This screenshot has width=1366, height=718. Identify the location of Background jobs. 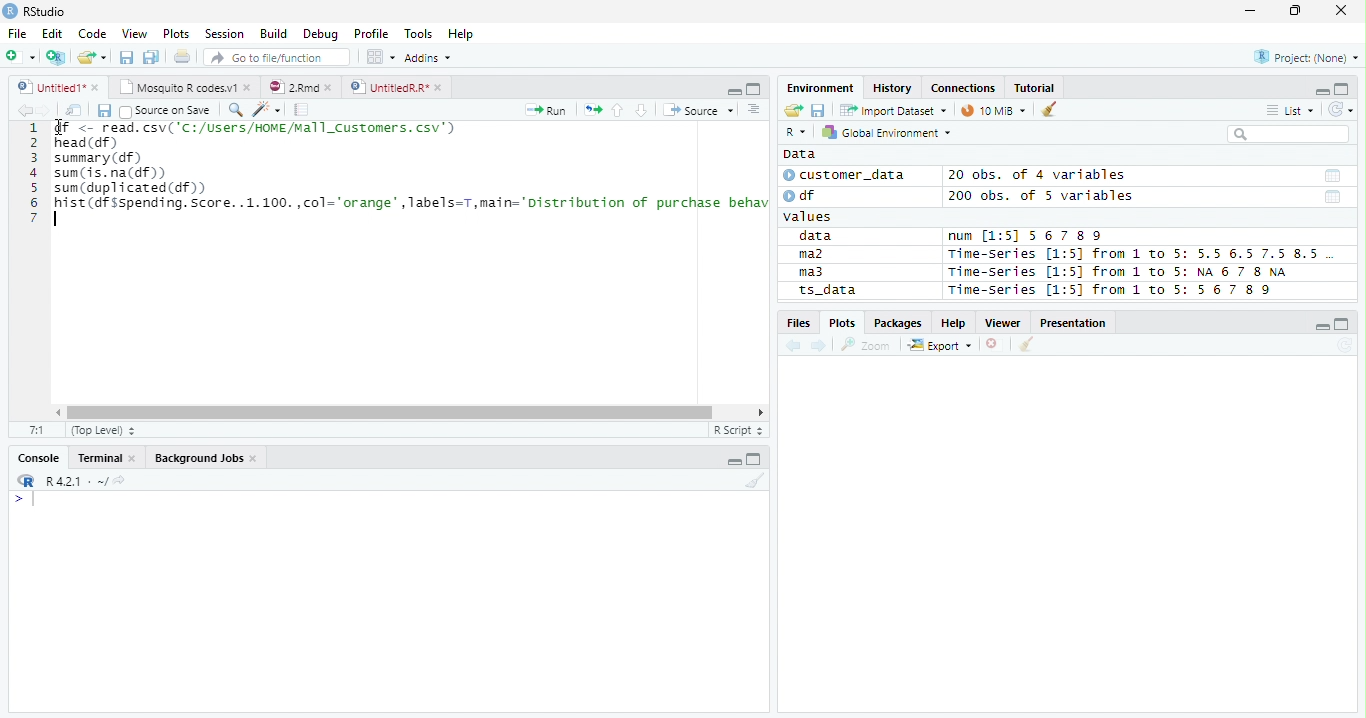
(206, 460).